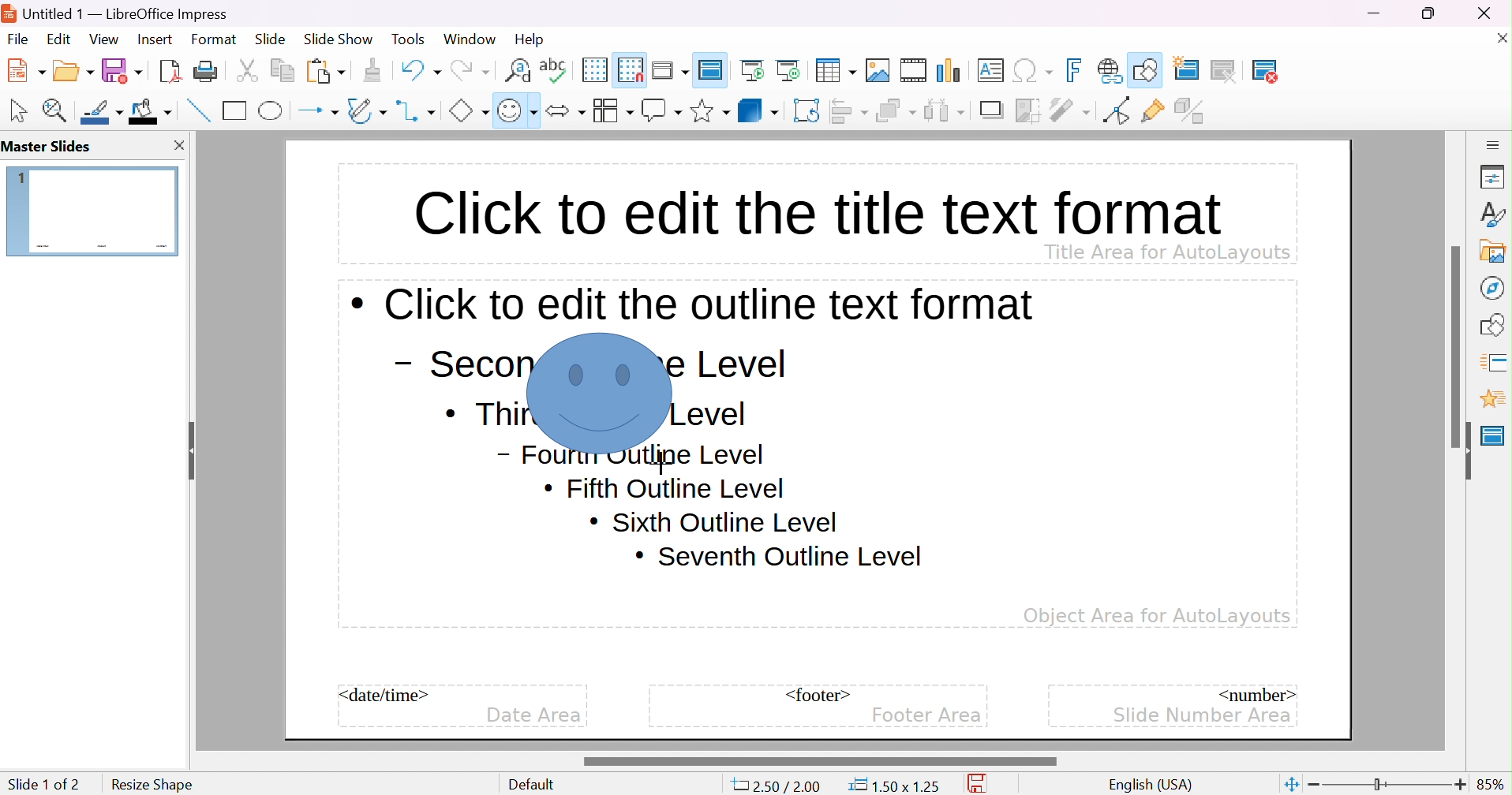 This screenshot has width=1512, height=795. Describe the element at coordinates (385, 695) in the screenshot. I see `<date/time>` at that location.